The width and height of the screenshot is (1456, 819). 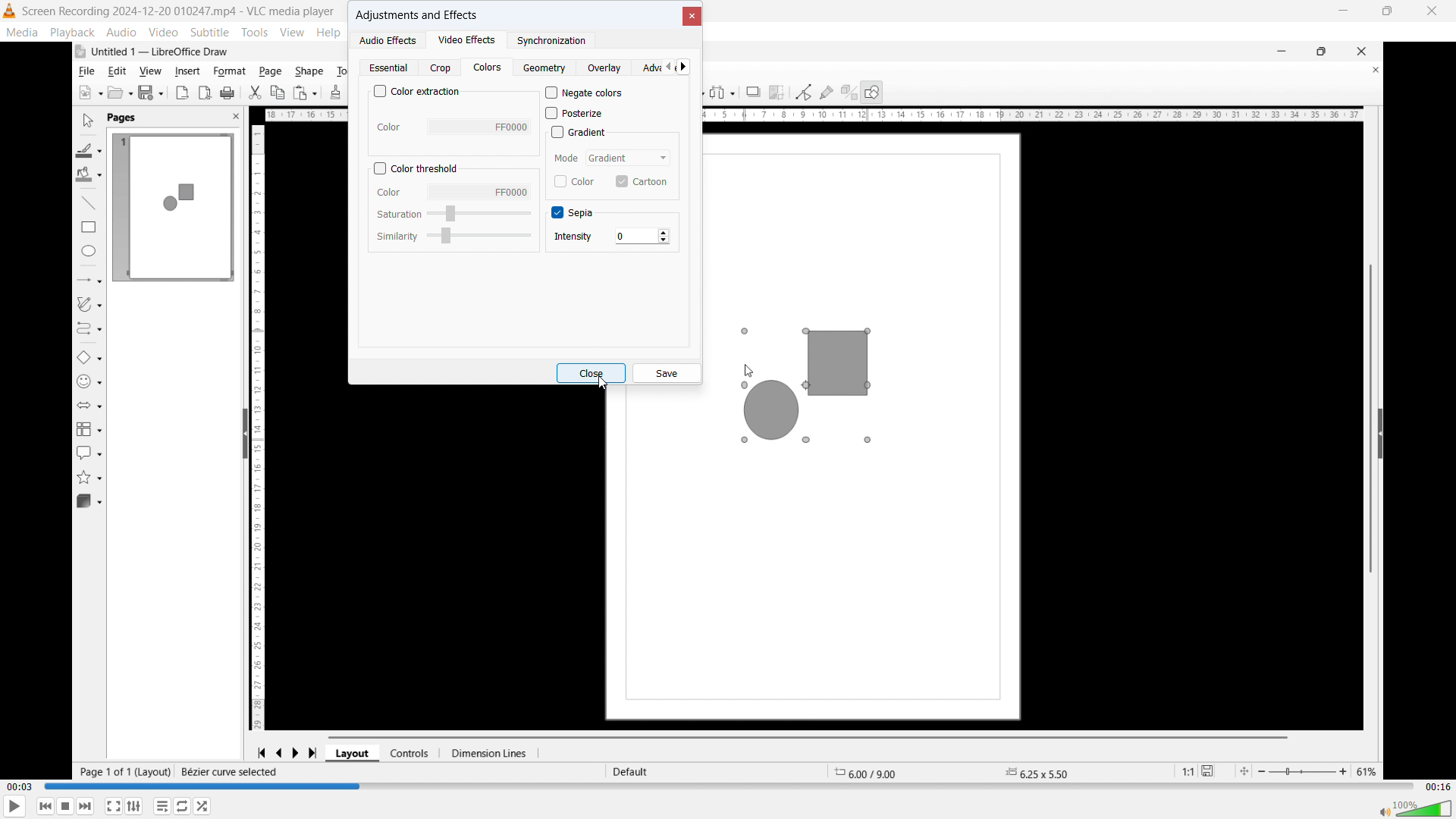 I want to click on Select mode , so click(x=629, y=158).